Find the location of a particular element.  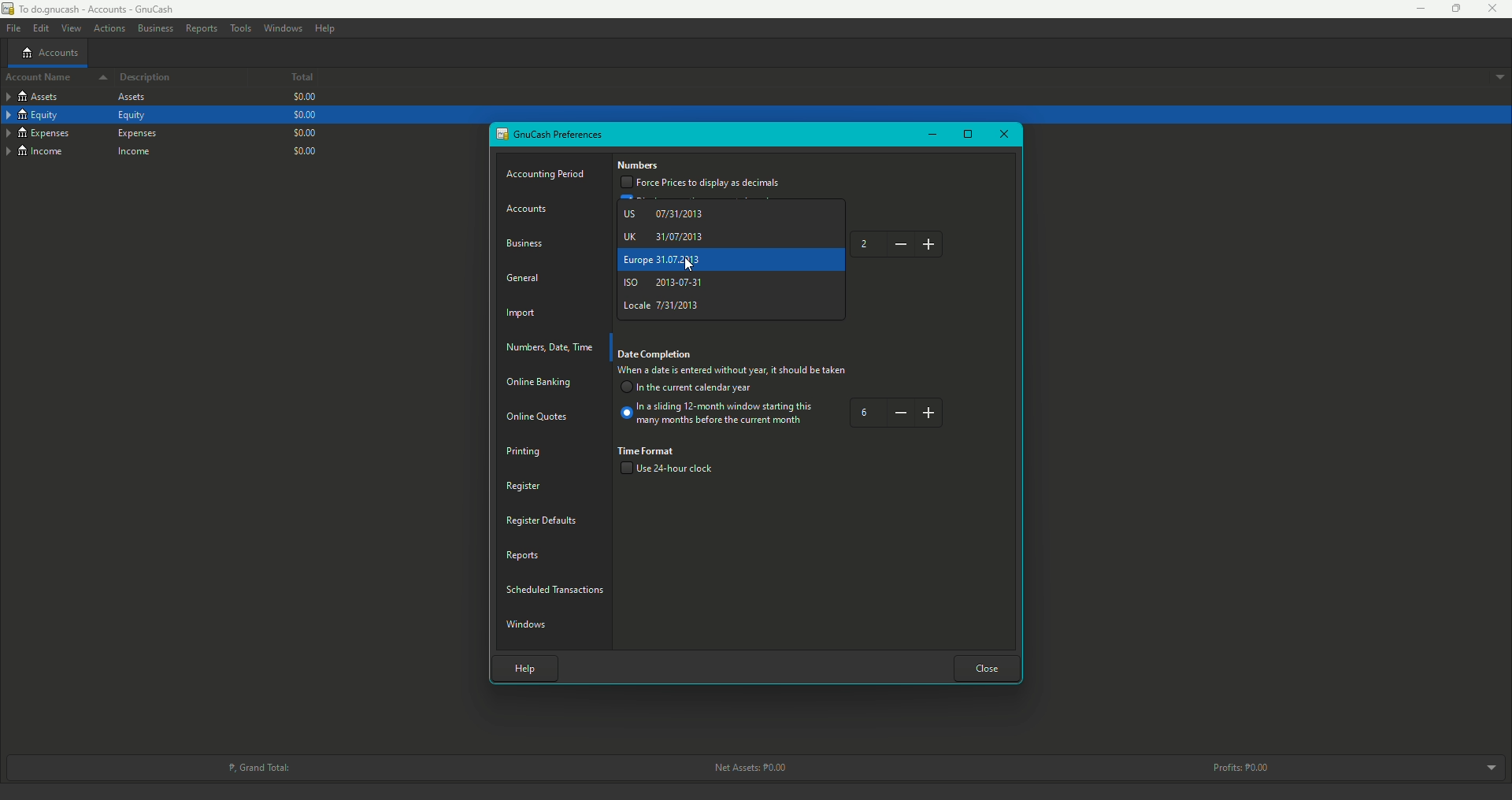

ISO is located at coordinates (664, 284).